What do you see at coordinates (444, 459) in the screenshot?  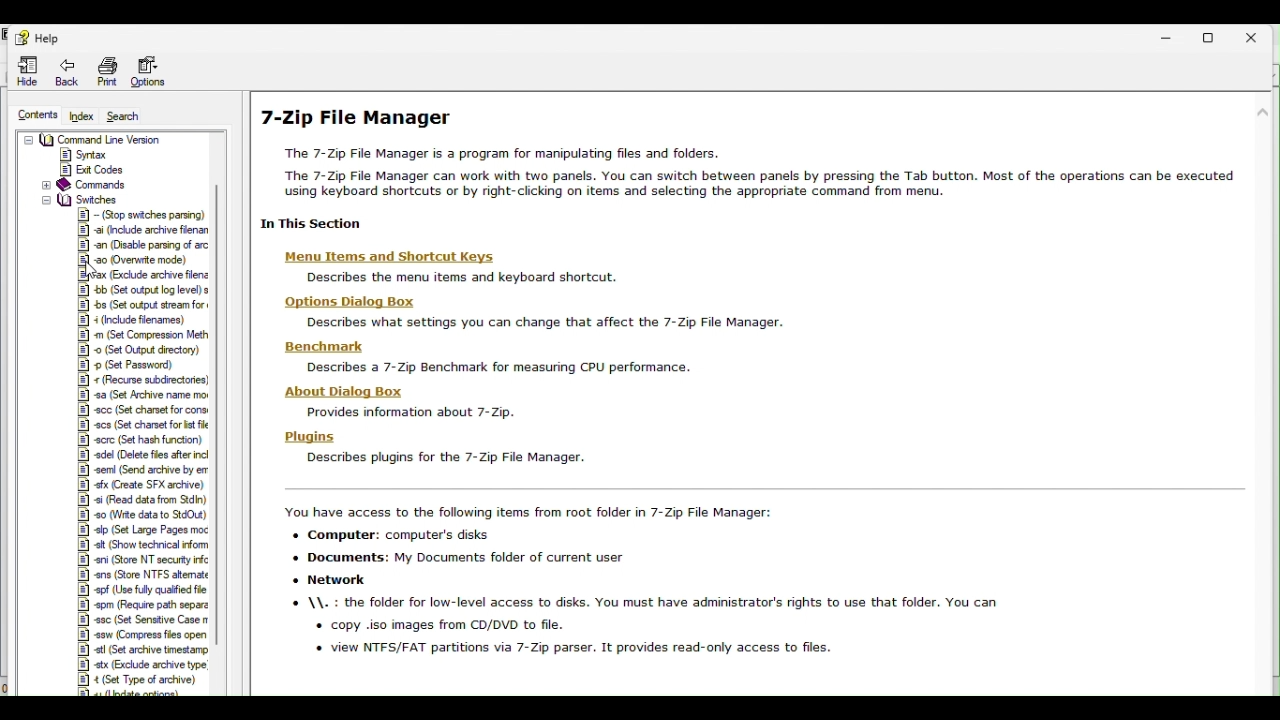 I see `Describes plugins for the 7-Zip File Manager.` at bounding box center [444, 459].